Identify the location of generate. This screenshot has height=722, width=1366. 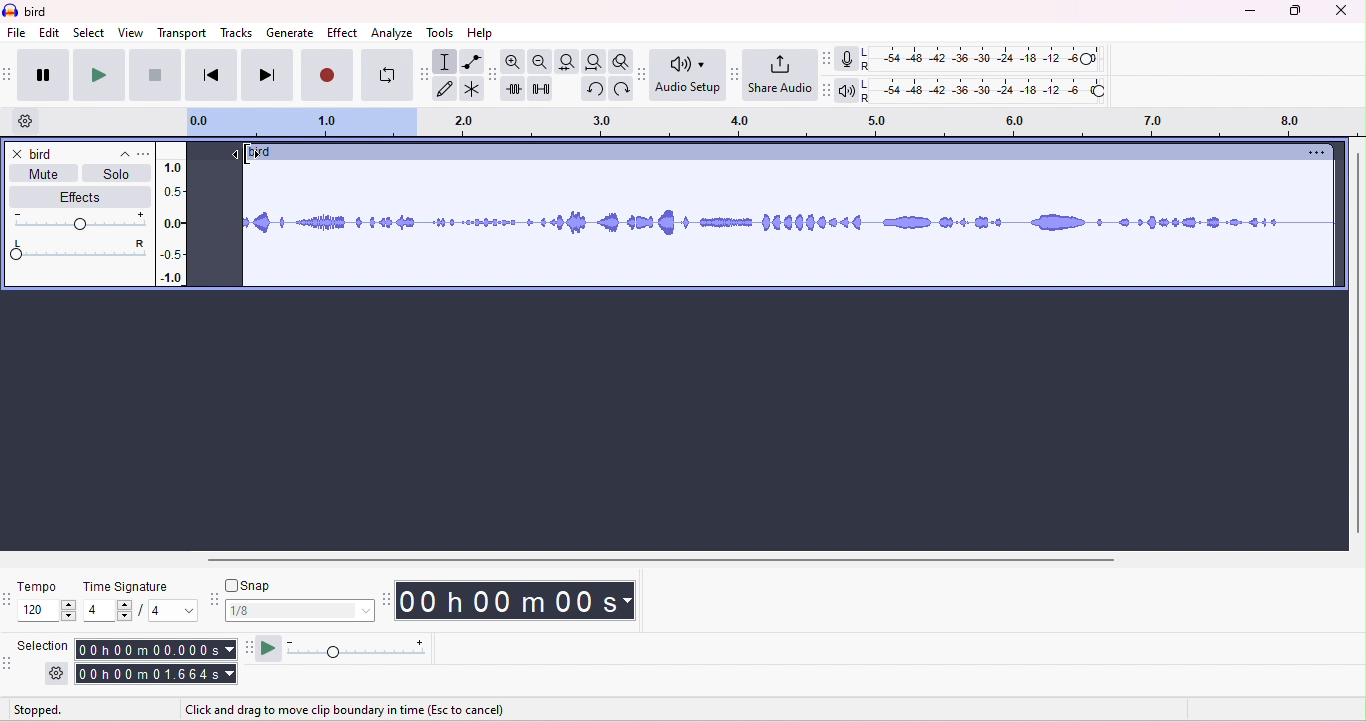
(289, 33).